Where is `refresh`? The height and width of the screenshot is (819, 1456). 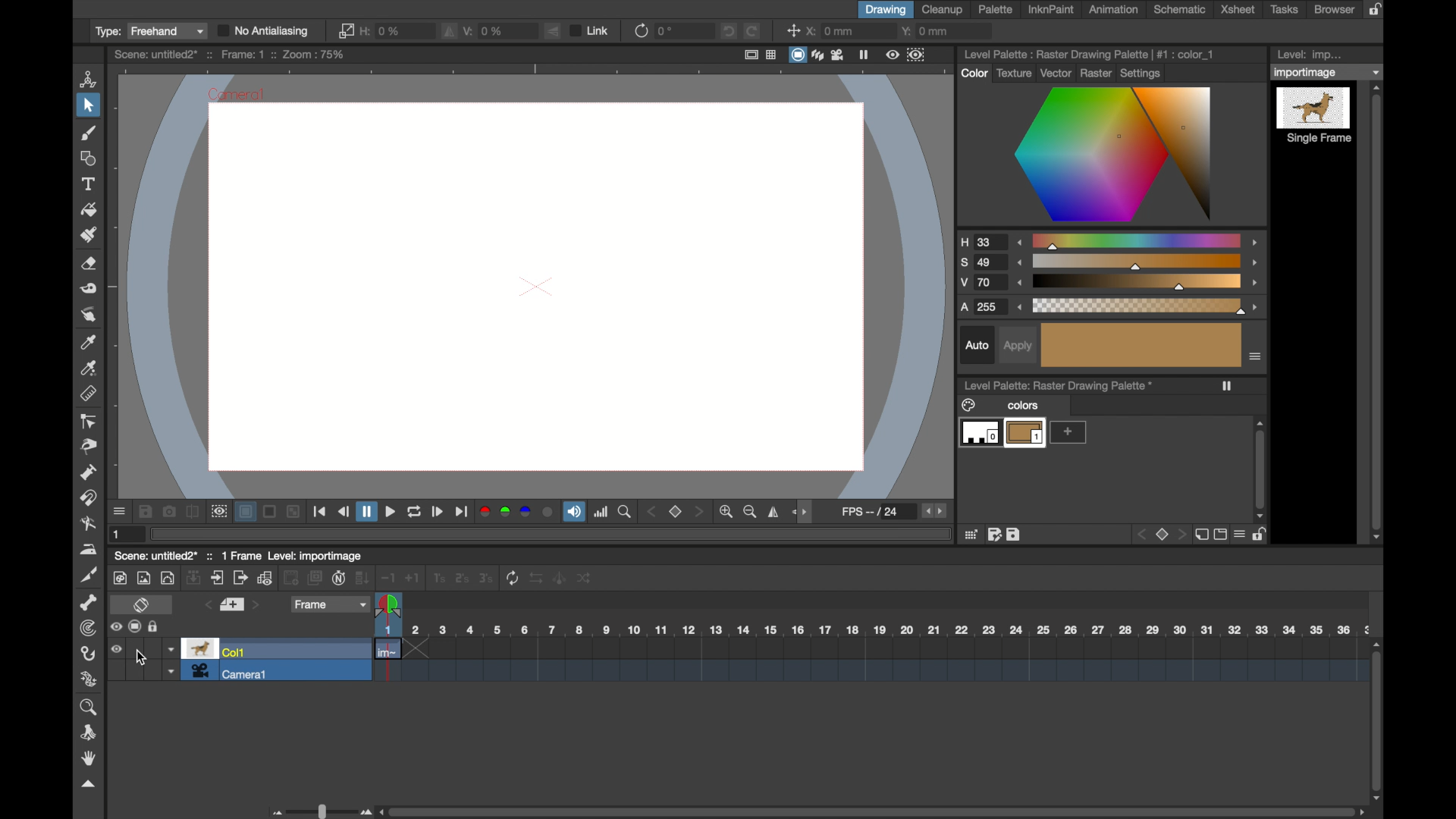 refresh is located at coordinates (511, 578).